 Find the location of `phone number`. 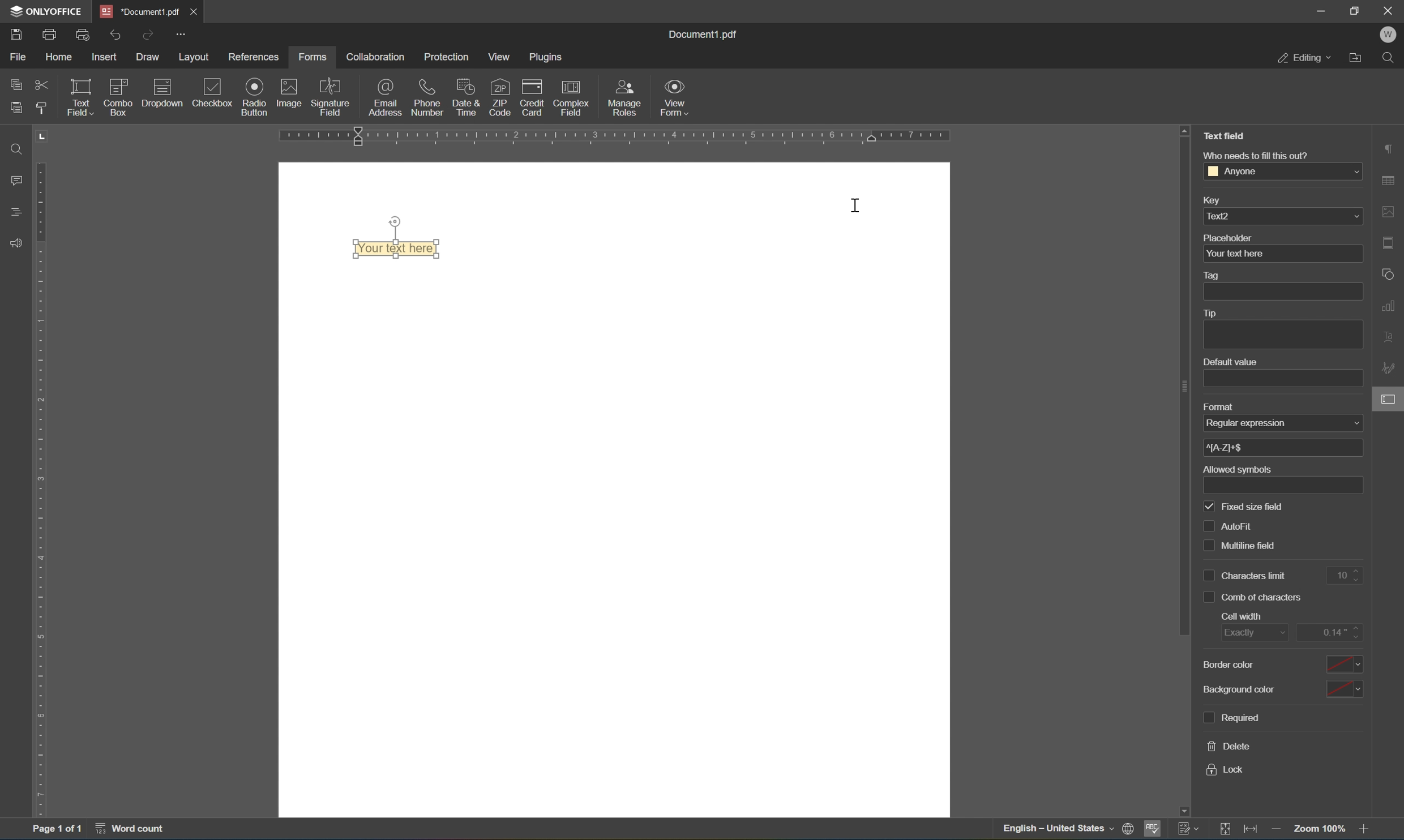

phone number is located at coordinates (426, 96).